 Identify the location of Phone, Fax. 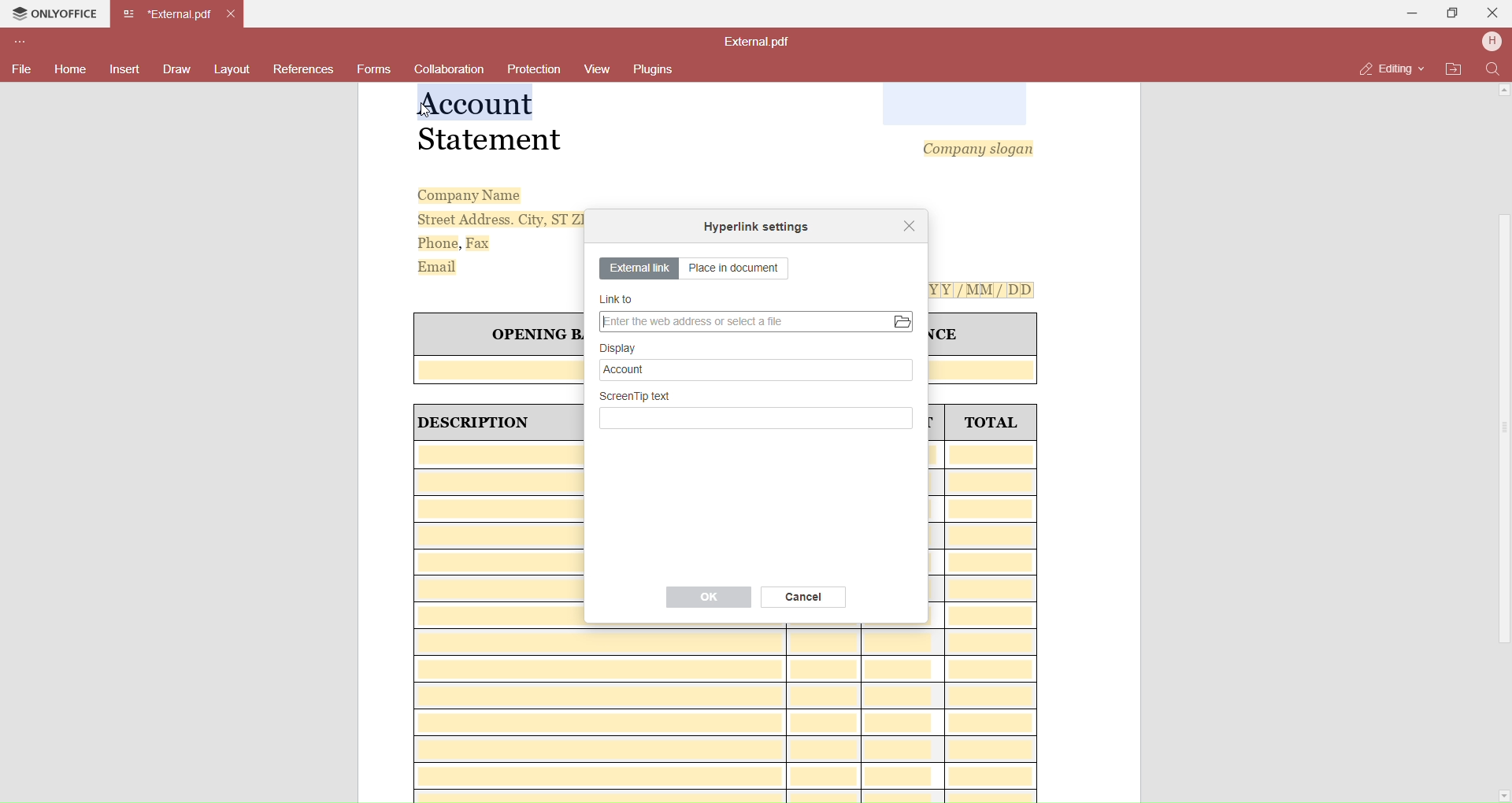
(456, 244).